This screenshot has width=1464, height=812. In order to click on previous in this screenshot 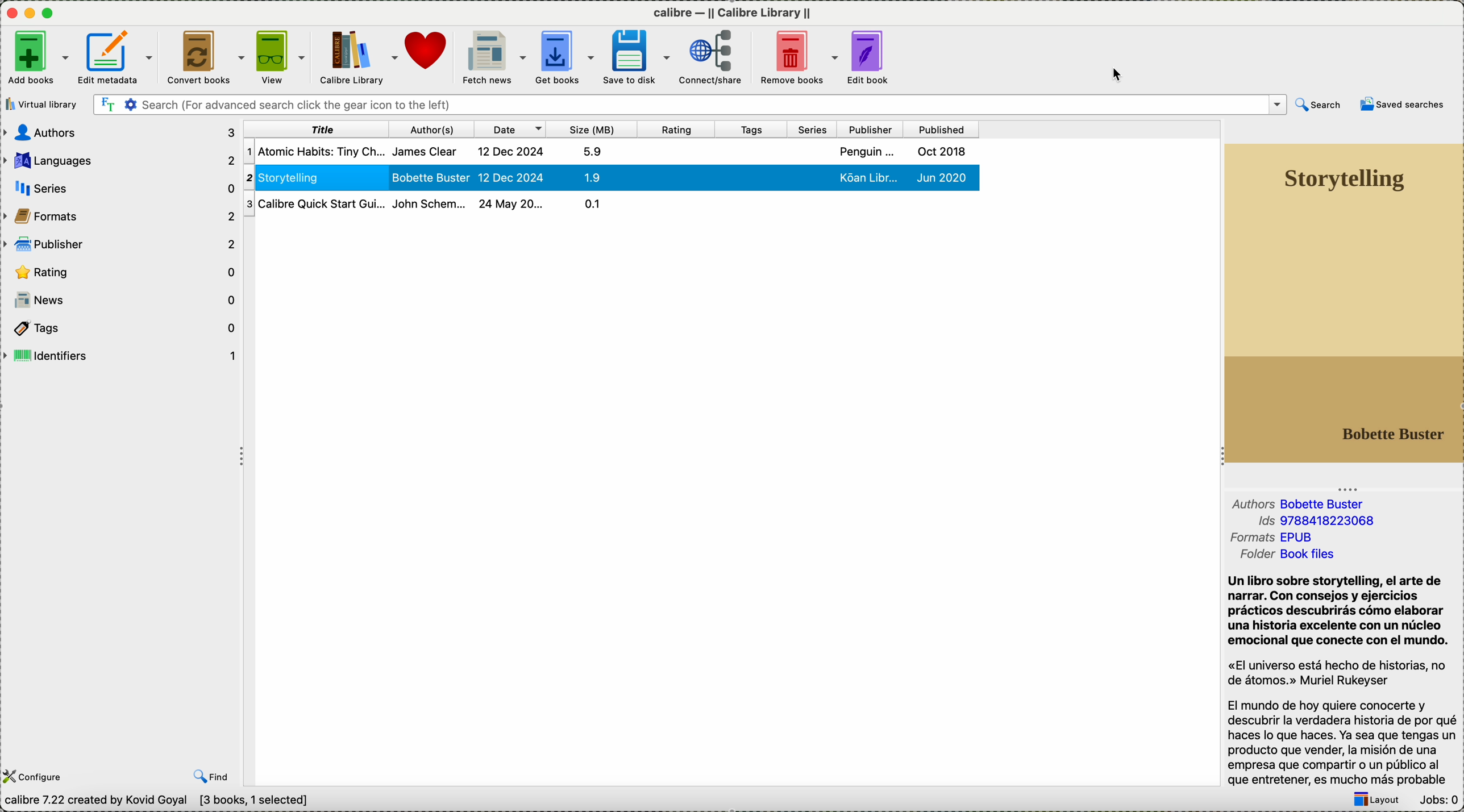, I will do `click(195, 772)`.